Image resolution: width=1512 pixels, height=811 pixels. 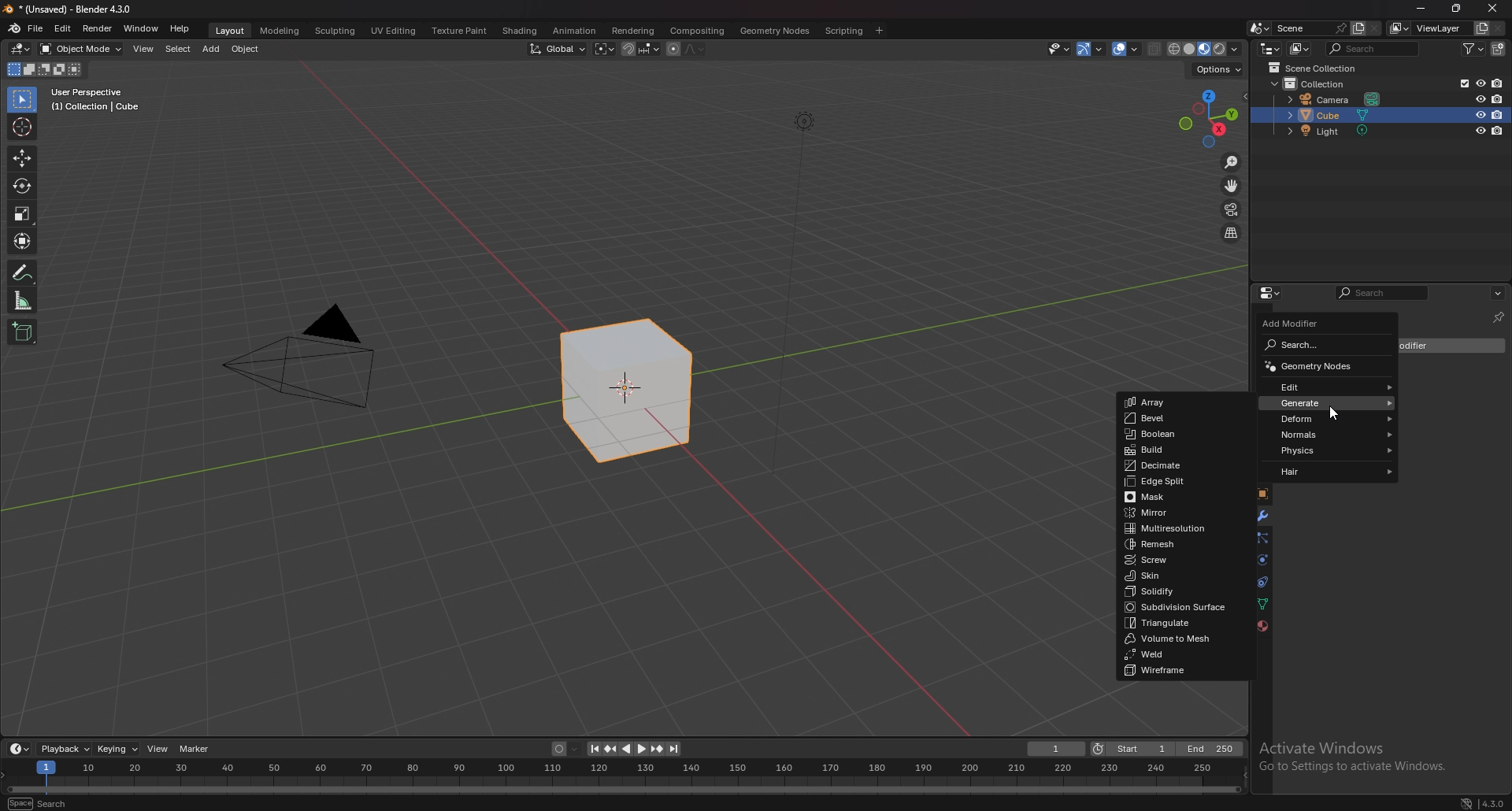 I want to click on filter, so click(x=1476, y=48).